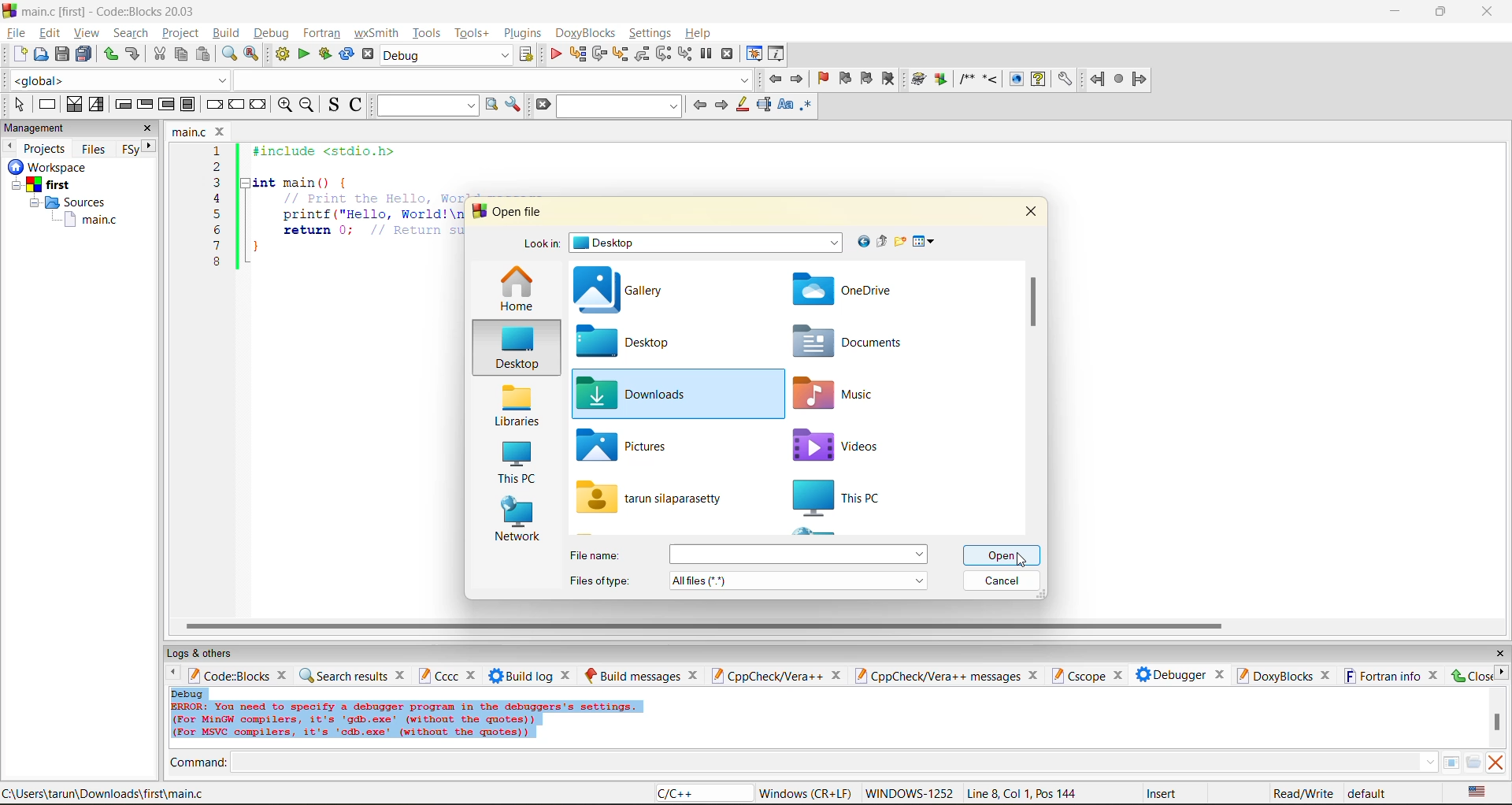 Image resolution: width=1512 pixels, height=805 pixels. I want to click on return 0, so click(372, 230).